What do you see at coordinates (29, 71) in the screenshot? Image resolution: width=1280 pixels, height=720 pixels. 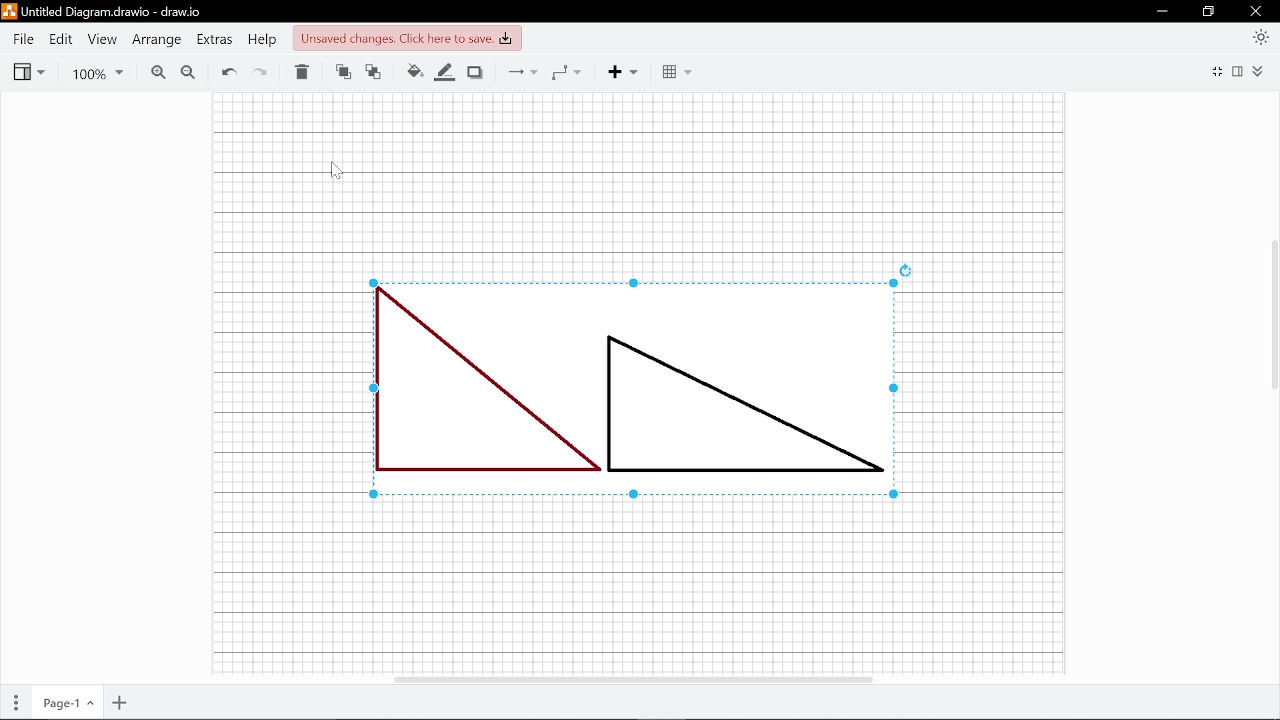 I see `View` at bounding box center [29, 71].